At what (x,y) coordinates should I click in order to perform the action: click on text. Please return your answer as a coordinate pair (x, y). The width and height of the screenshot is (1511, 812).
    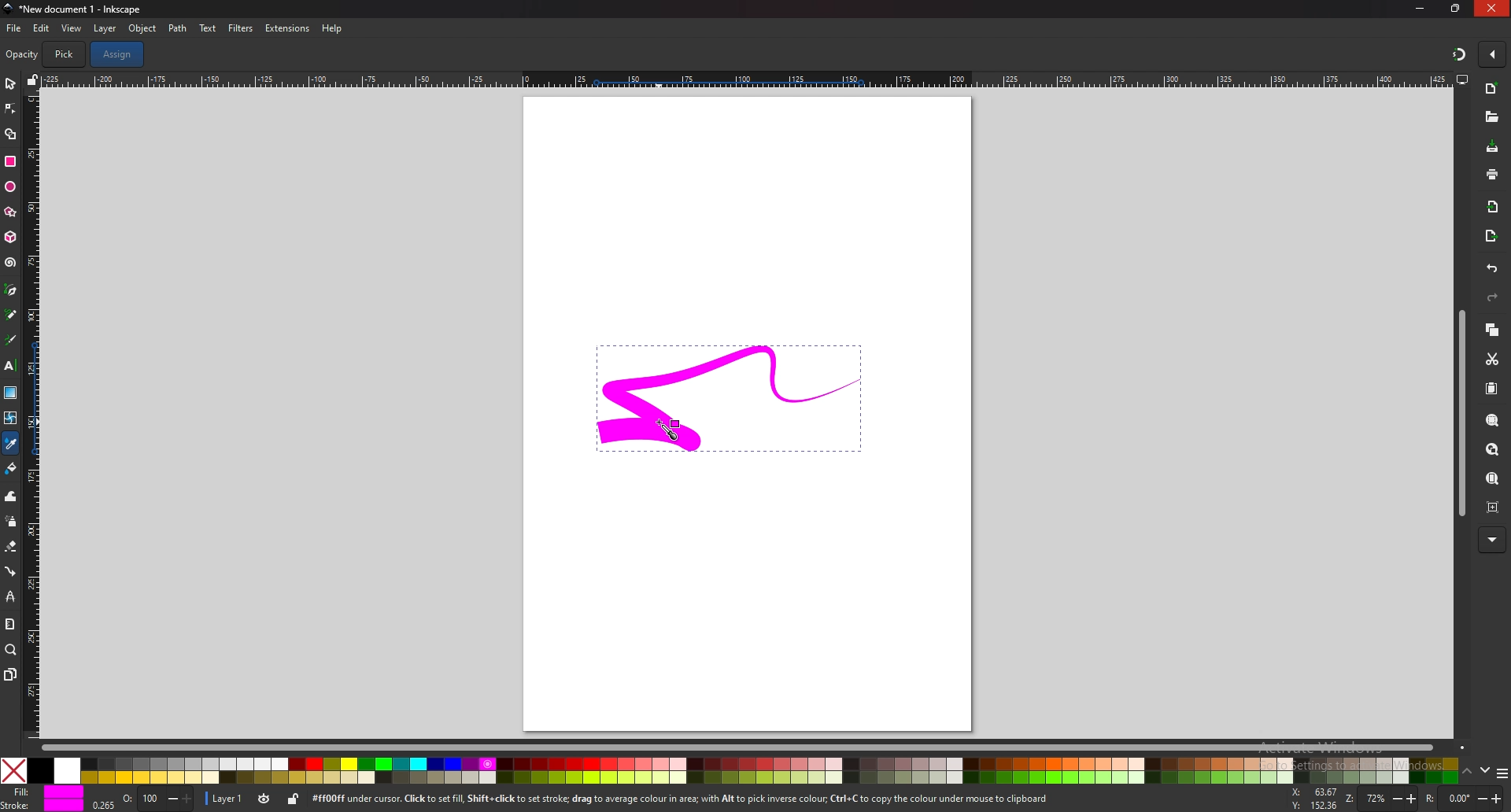
    Looking at the image, I should click on (11, 364).